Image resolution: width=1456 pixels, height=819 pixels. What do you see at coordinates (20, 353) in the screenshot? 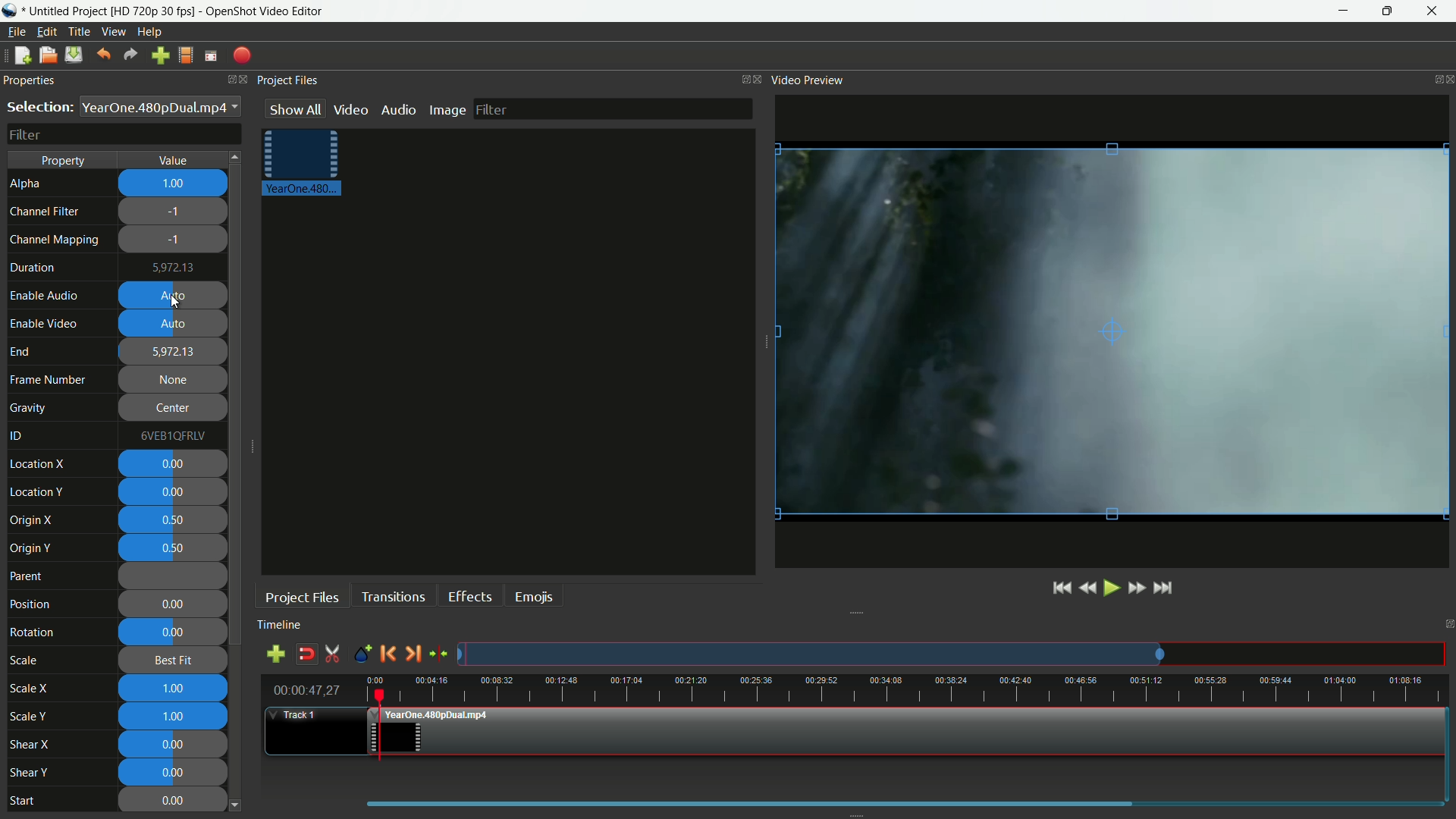
I see `end` at bounding box center [20, 353].